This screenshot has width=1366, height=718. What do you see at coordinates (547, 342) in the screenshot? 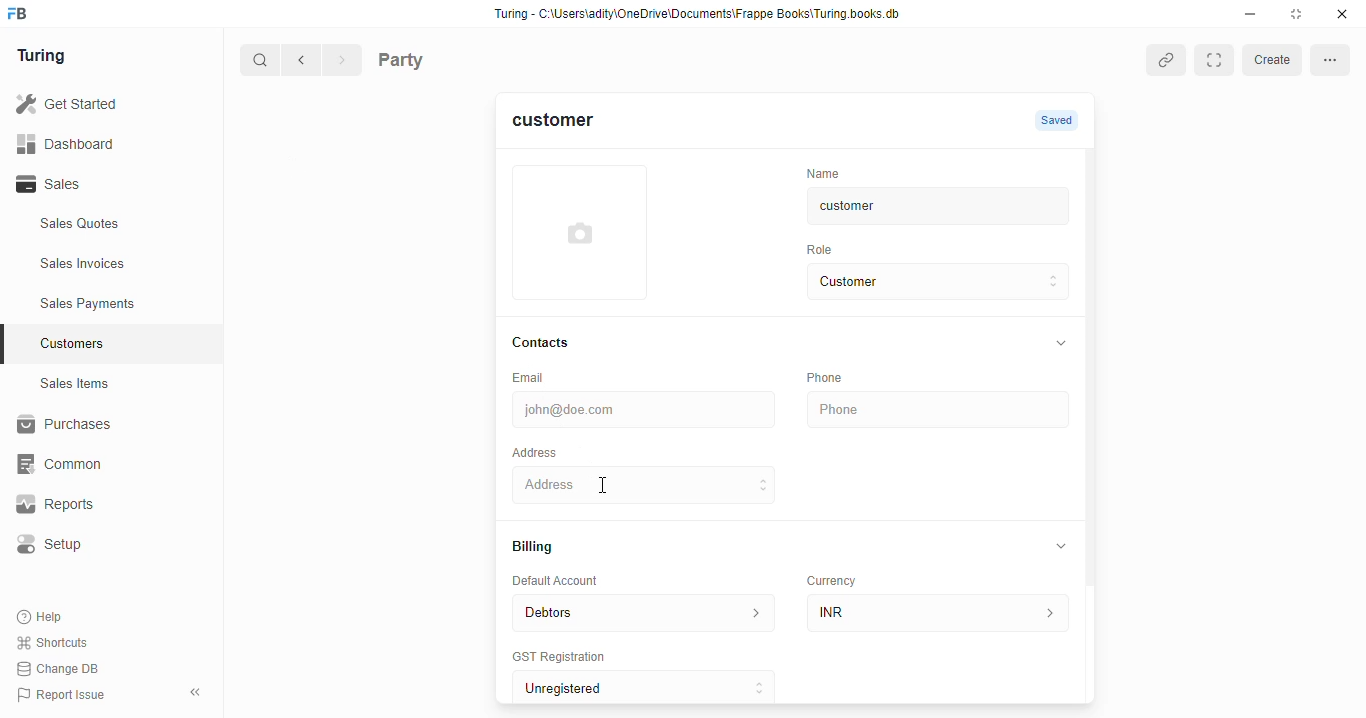
I see `Contacts` at bounding box center [547, 342].